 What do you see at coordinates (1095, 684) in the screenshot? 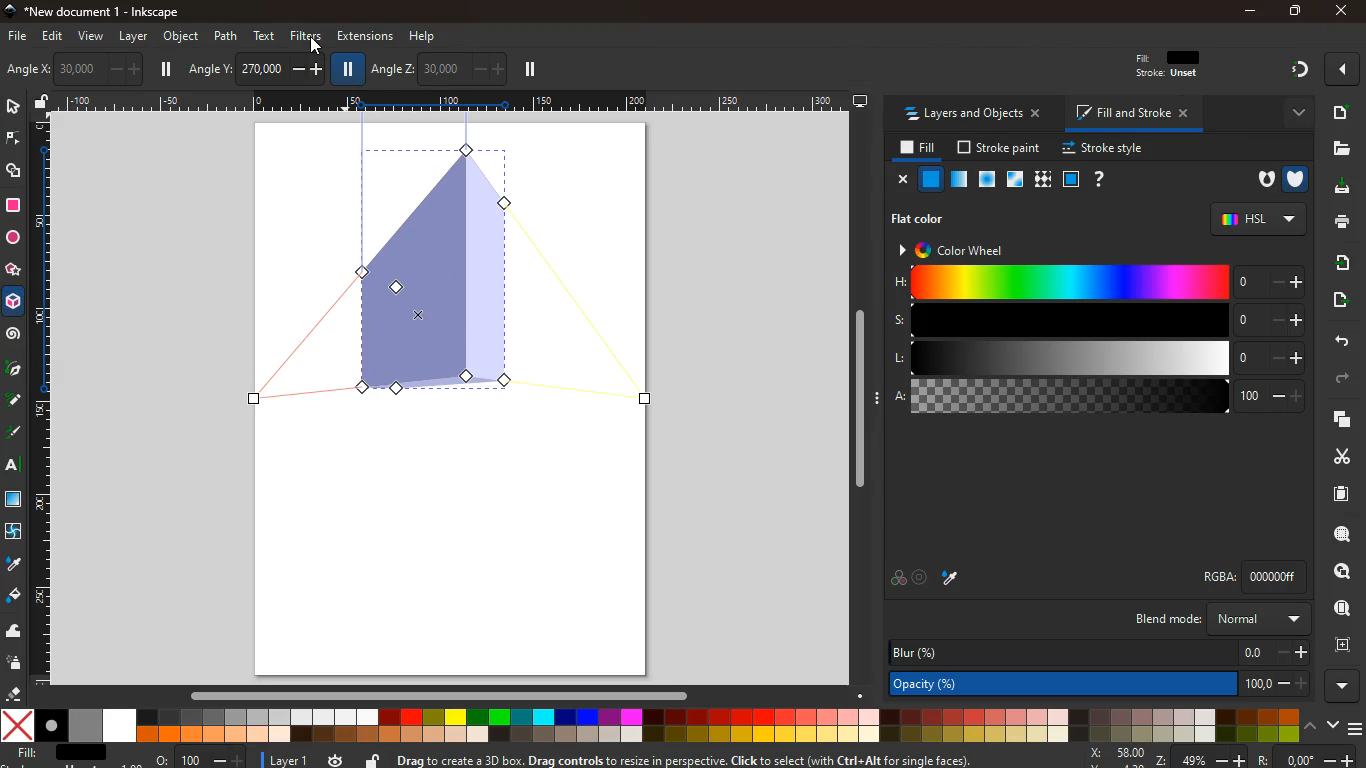
I see `opacity` at bounding box center [1095, 684].